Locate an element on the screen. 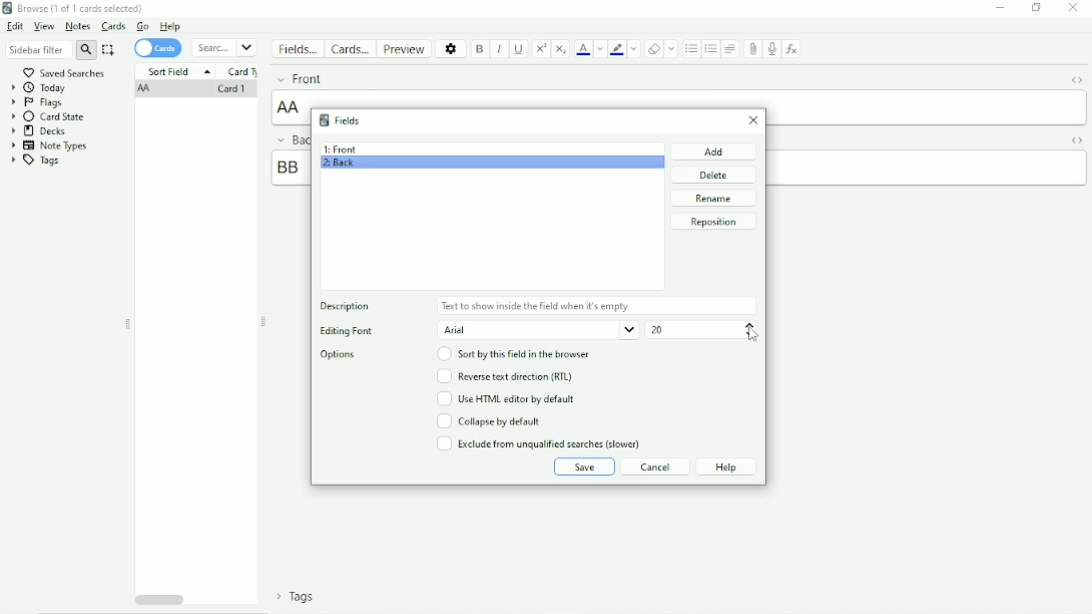  Close is located at coordinates (754, 120).